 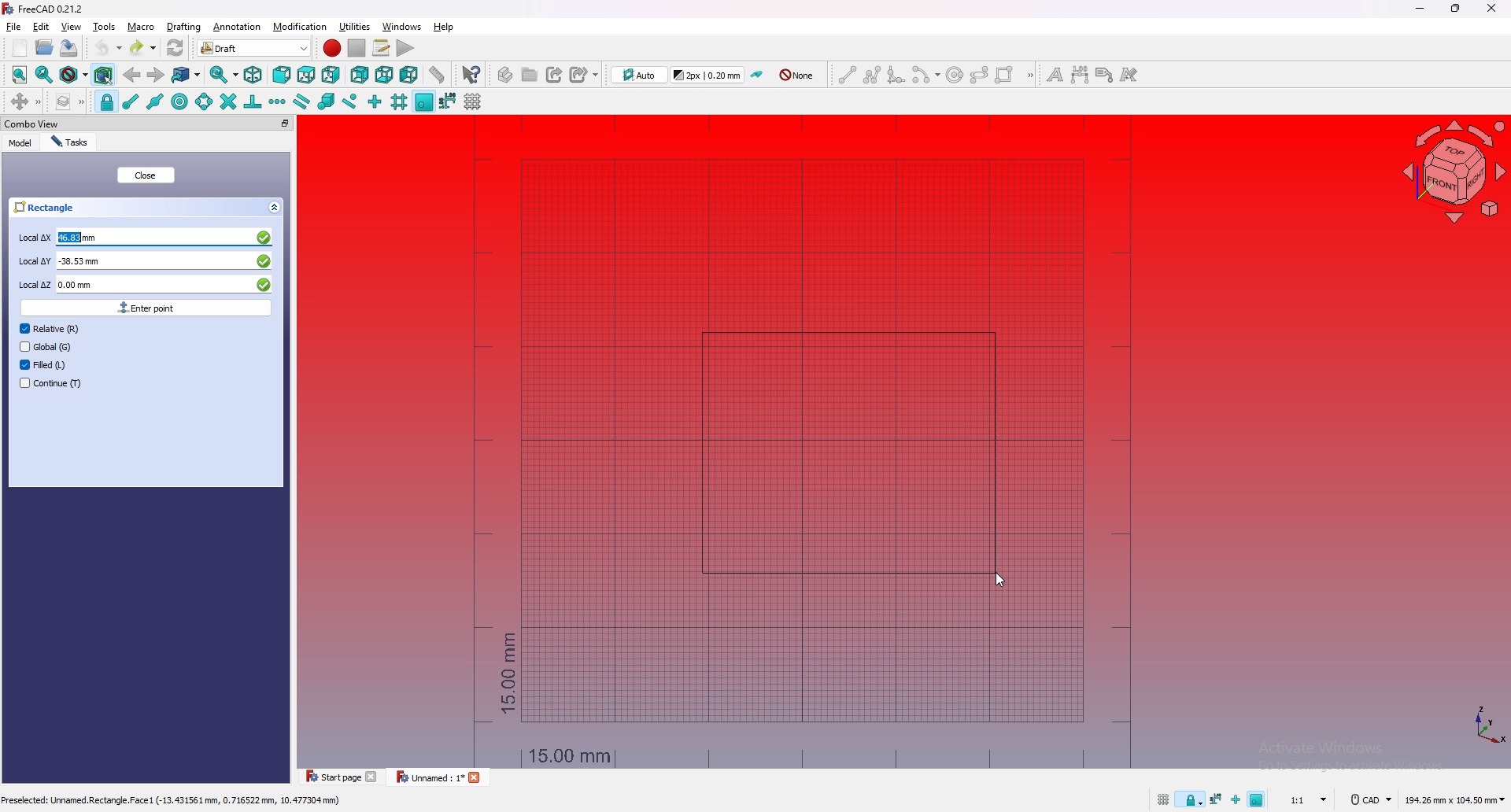 I want to click on line, so click(x=847, y=75).